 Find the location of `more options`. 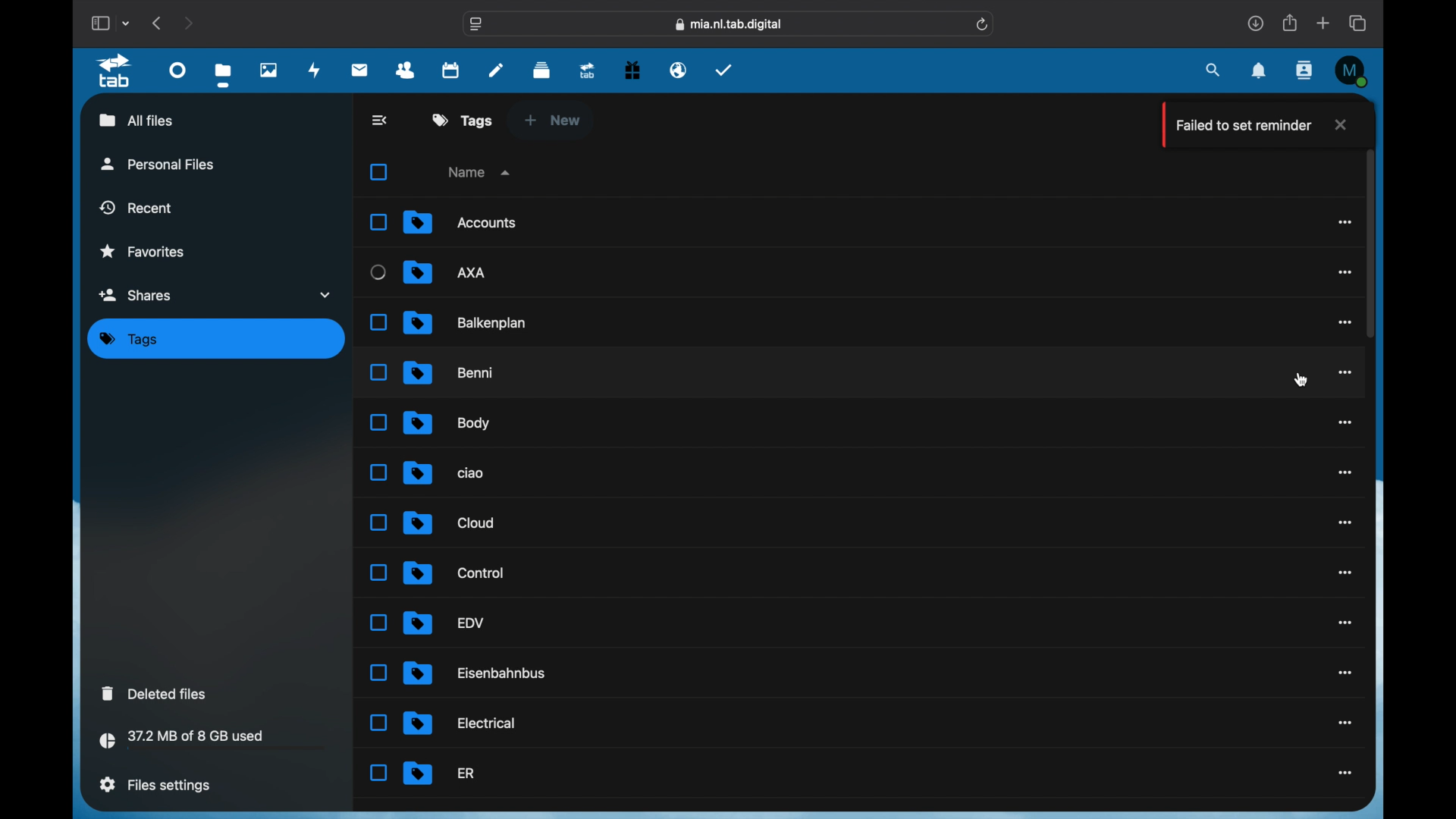

more options is located at coordinates (1346, 472).